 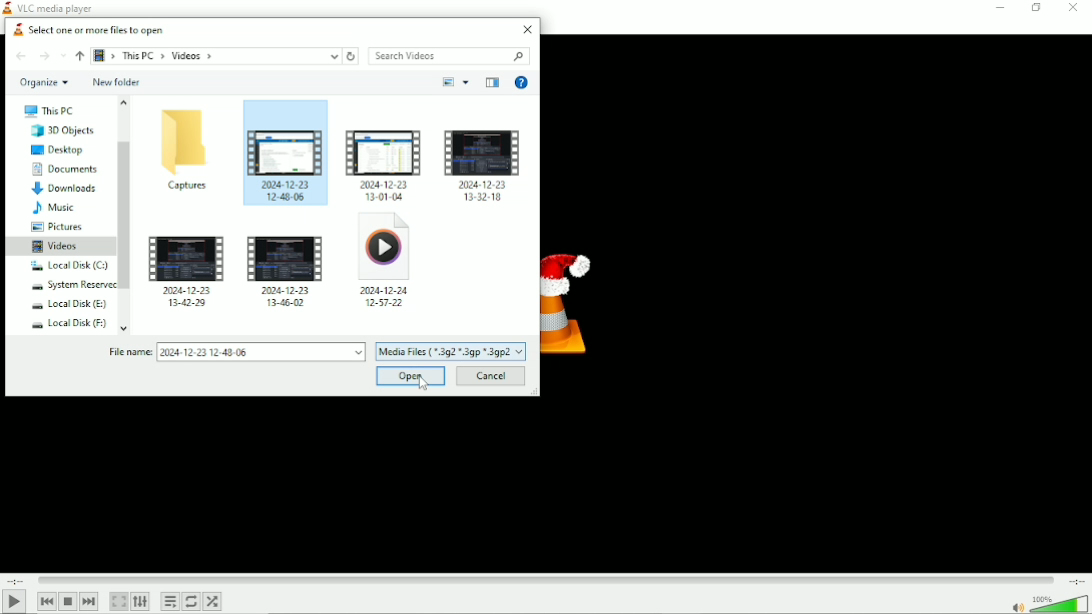 I want to click on Change your view, so click(x=448, y=83).